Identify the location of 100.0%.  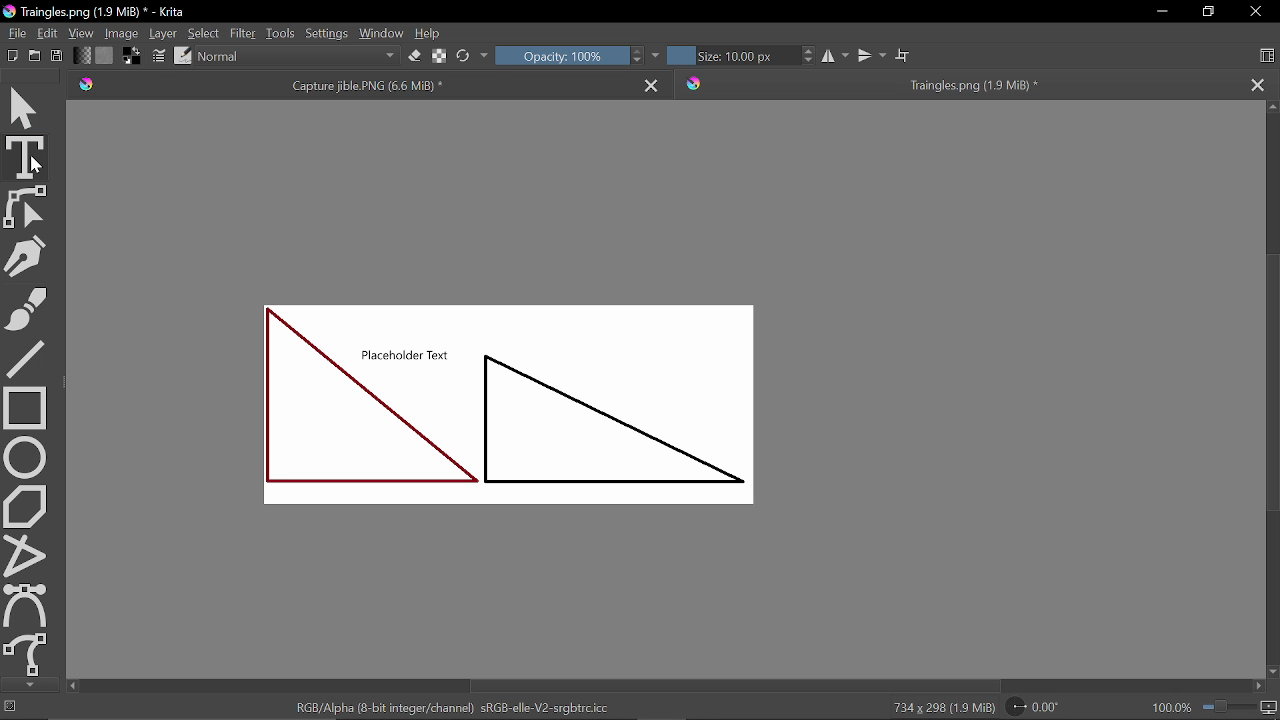
(1215, 707).